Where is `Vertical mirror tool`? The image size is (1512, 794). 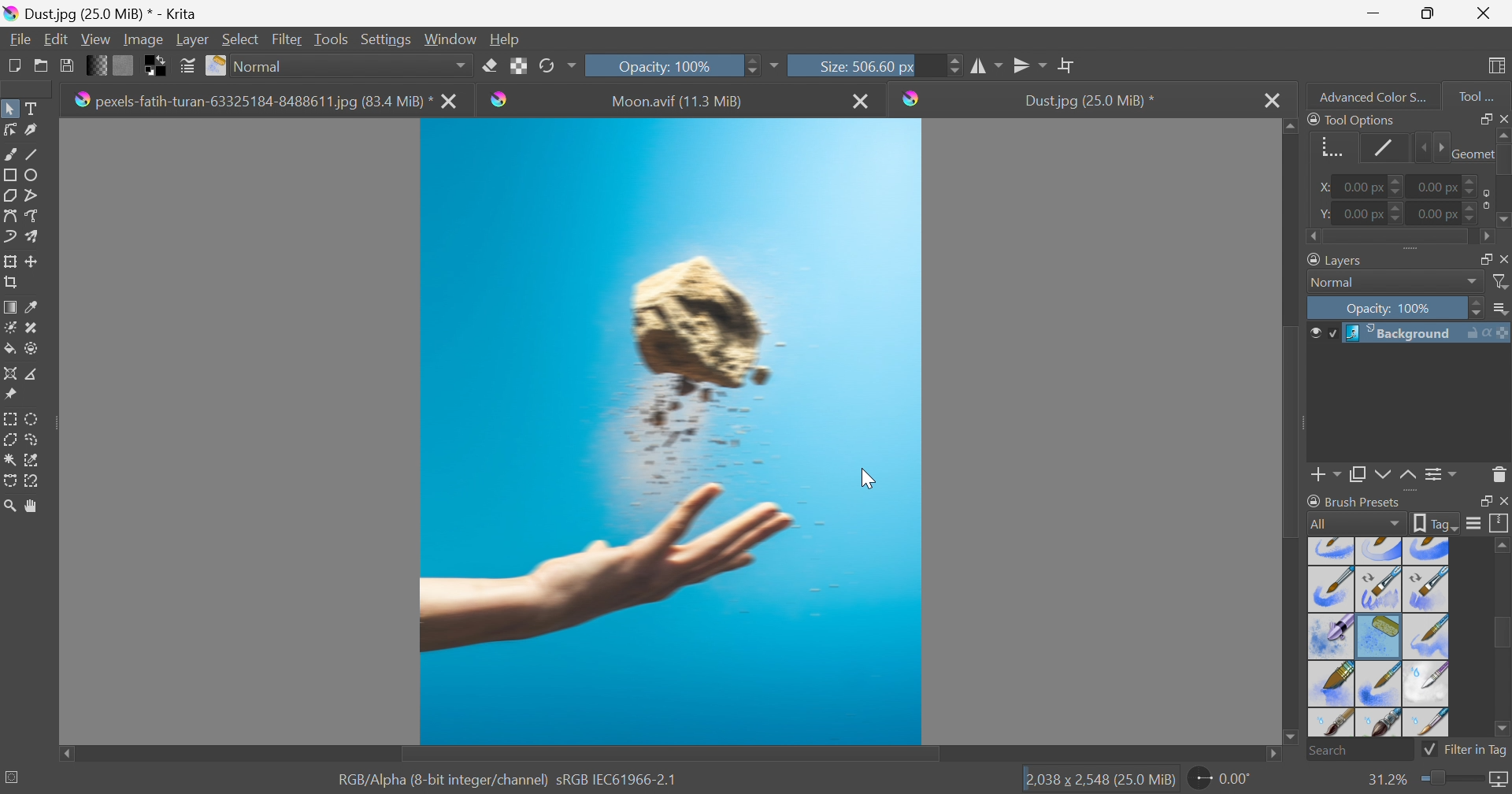
Vertical mirror tool is located at coordinates (988, 64).